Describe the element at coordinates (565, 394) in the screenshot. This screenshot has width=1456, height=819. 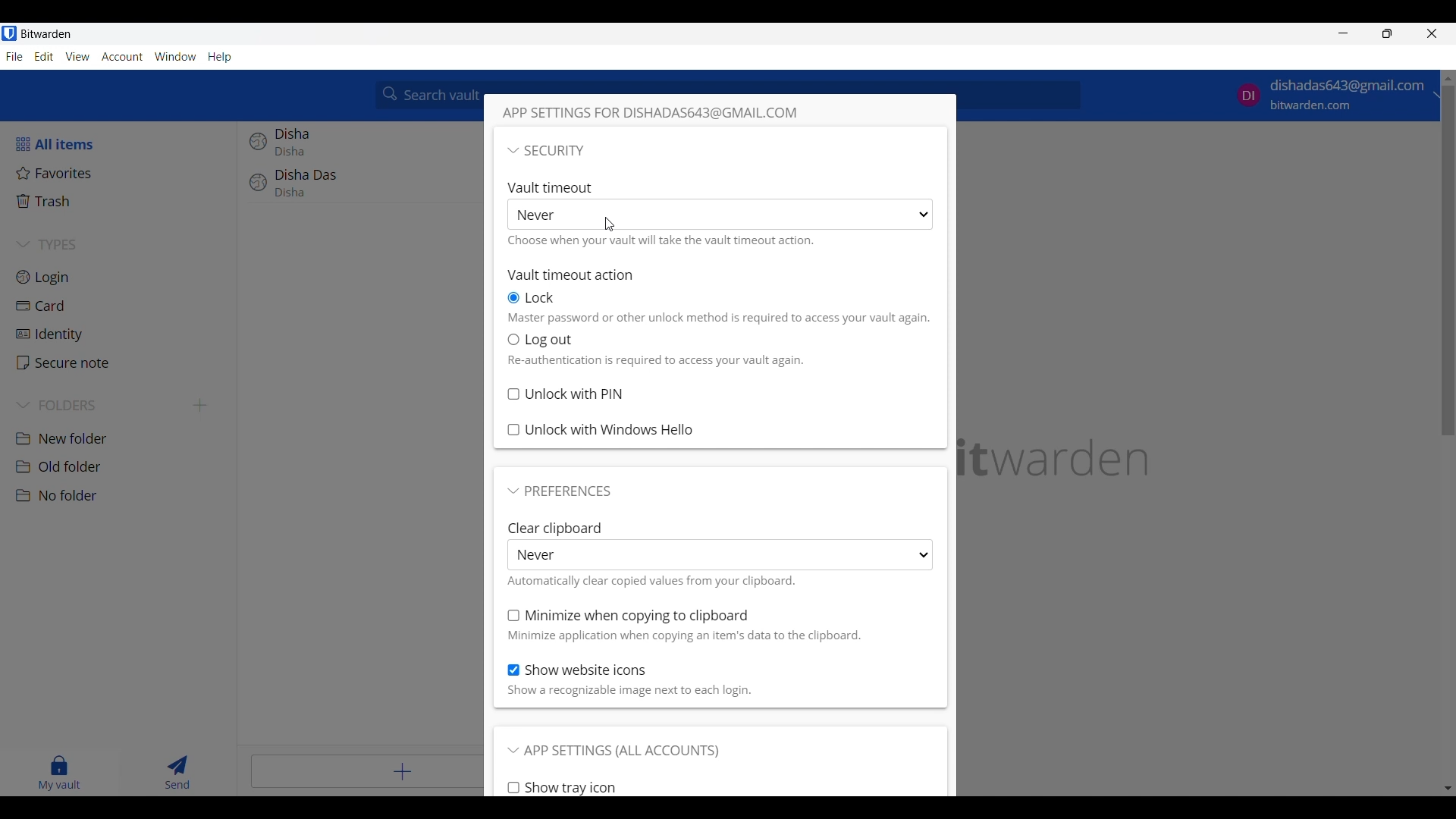
I see `Toggle for Unlock with PIN` at that location.